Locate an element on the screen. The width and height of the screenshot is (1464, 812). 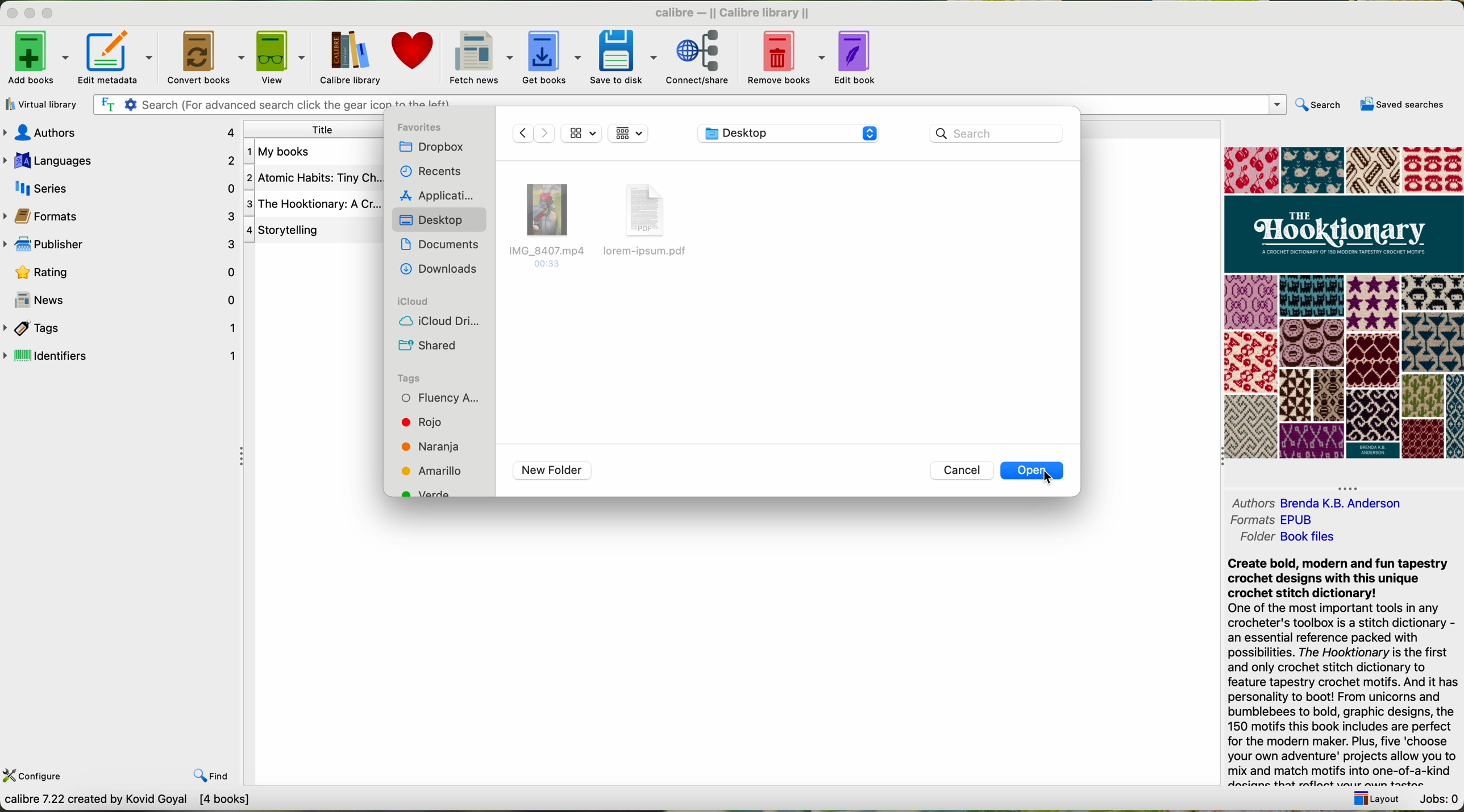
red tag is located at coordinates (422, 423).